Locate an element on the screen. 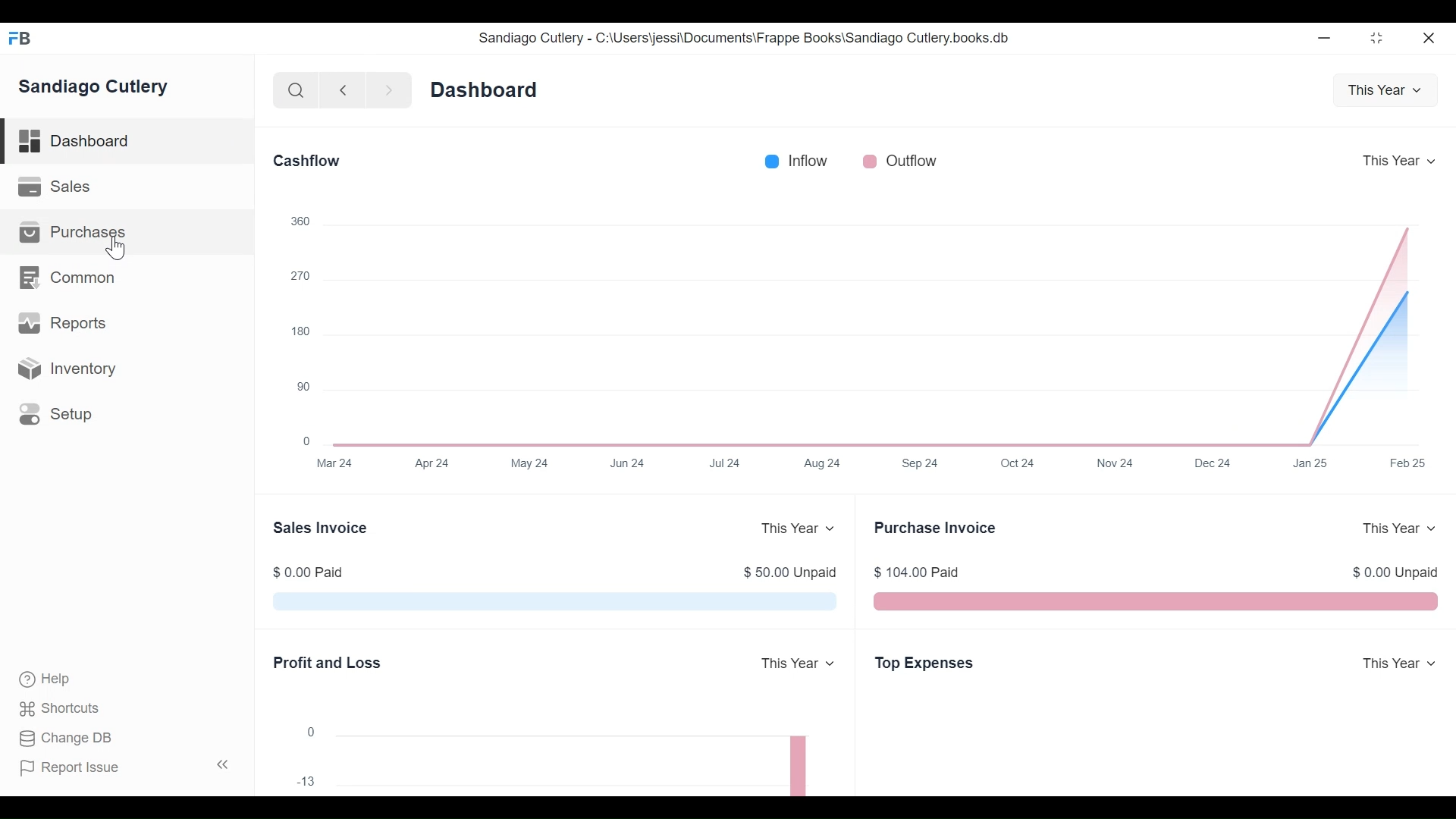 This screenshot has width=1456, height=819. 0 is located at coordinates (314, 733).